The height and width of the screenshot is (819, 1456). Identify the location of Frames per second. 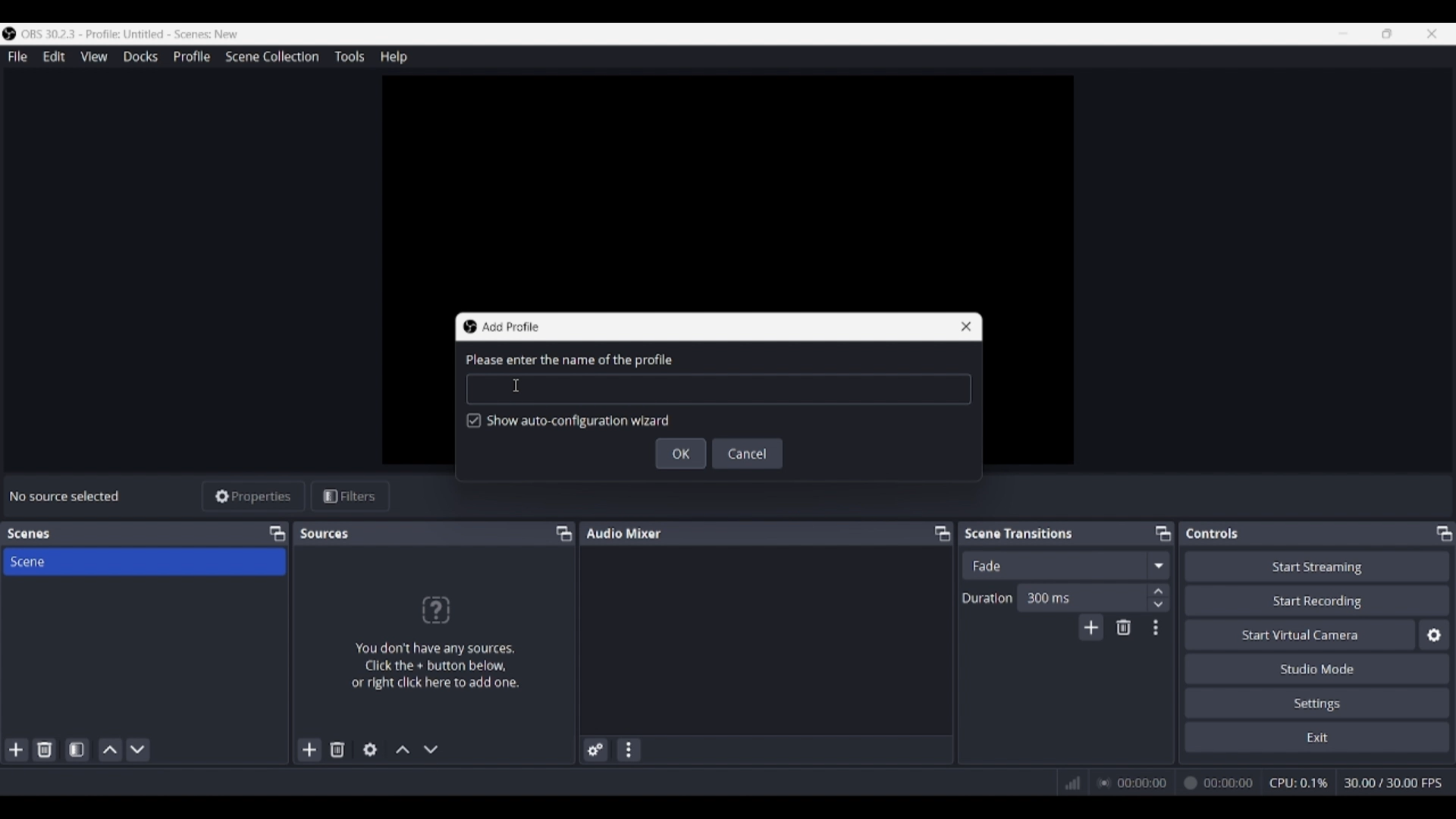
(1393, 783).